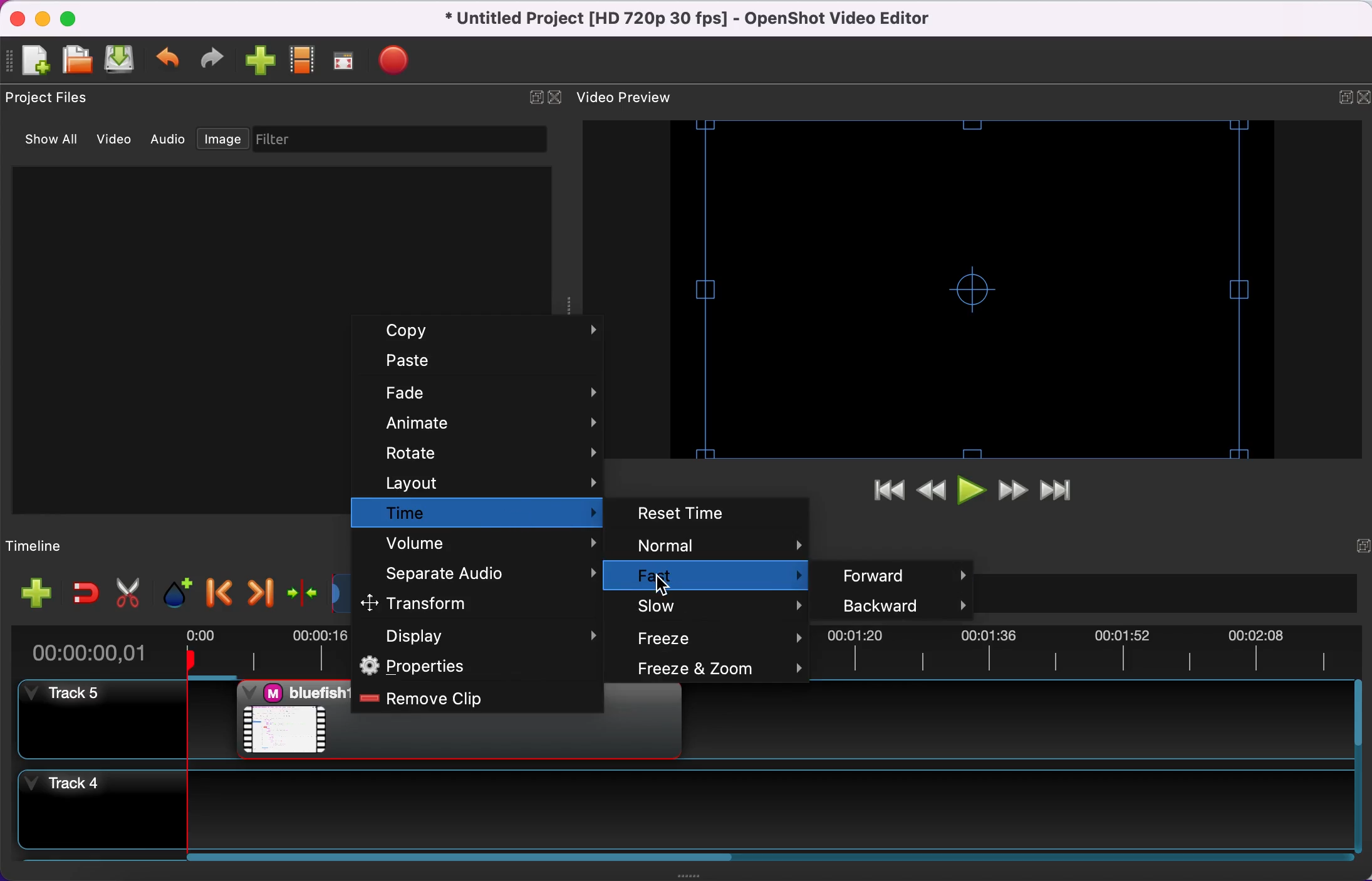  I want to click on display, so click(480, 637).